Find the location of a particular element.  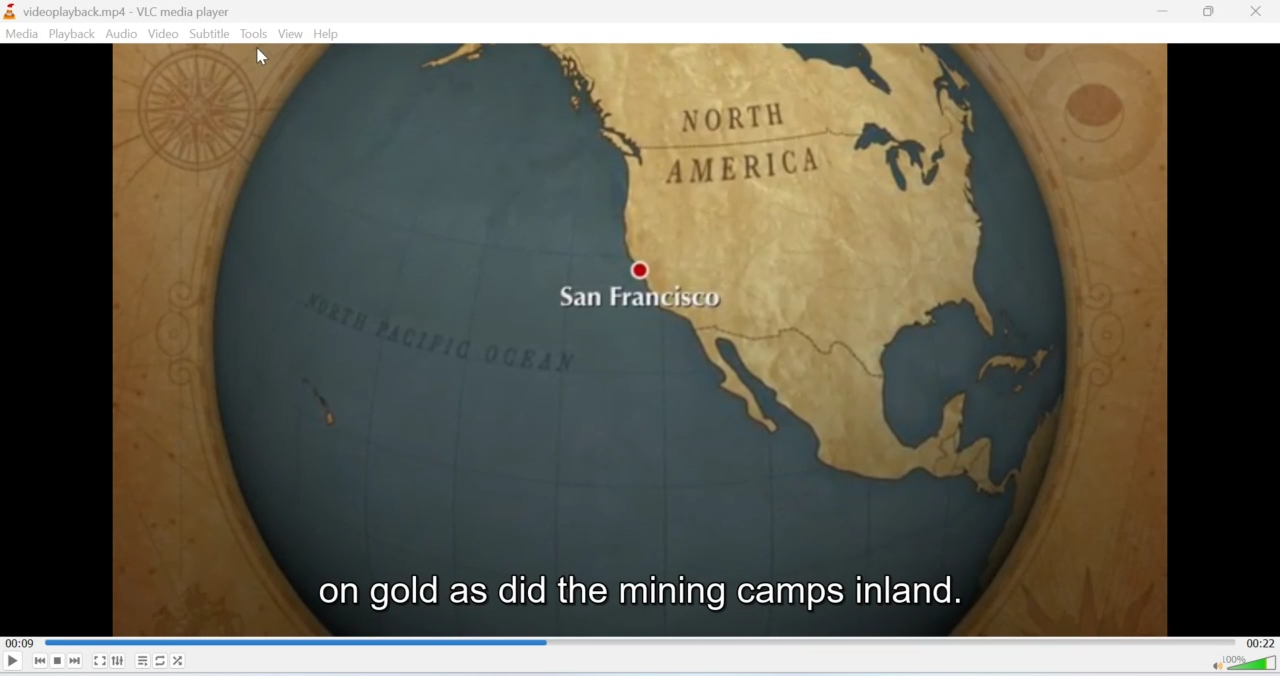

Stop is located at coordinates (58, 662).